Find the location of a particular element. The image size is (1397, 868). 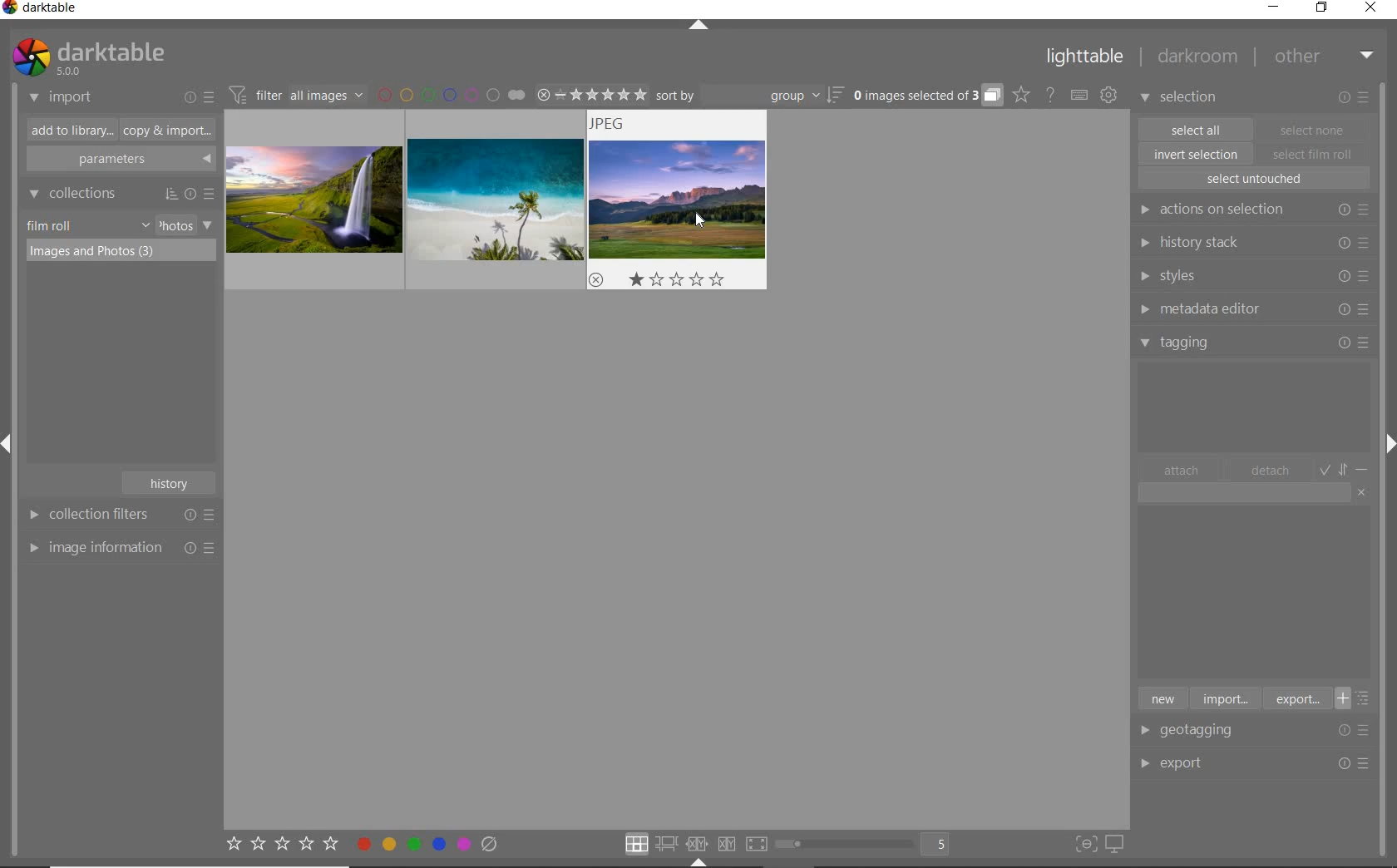

Options is located at coordinates (1359, 730).